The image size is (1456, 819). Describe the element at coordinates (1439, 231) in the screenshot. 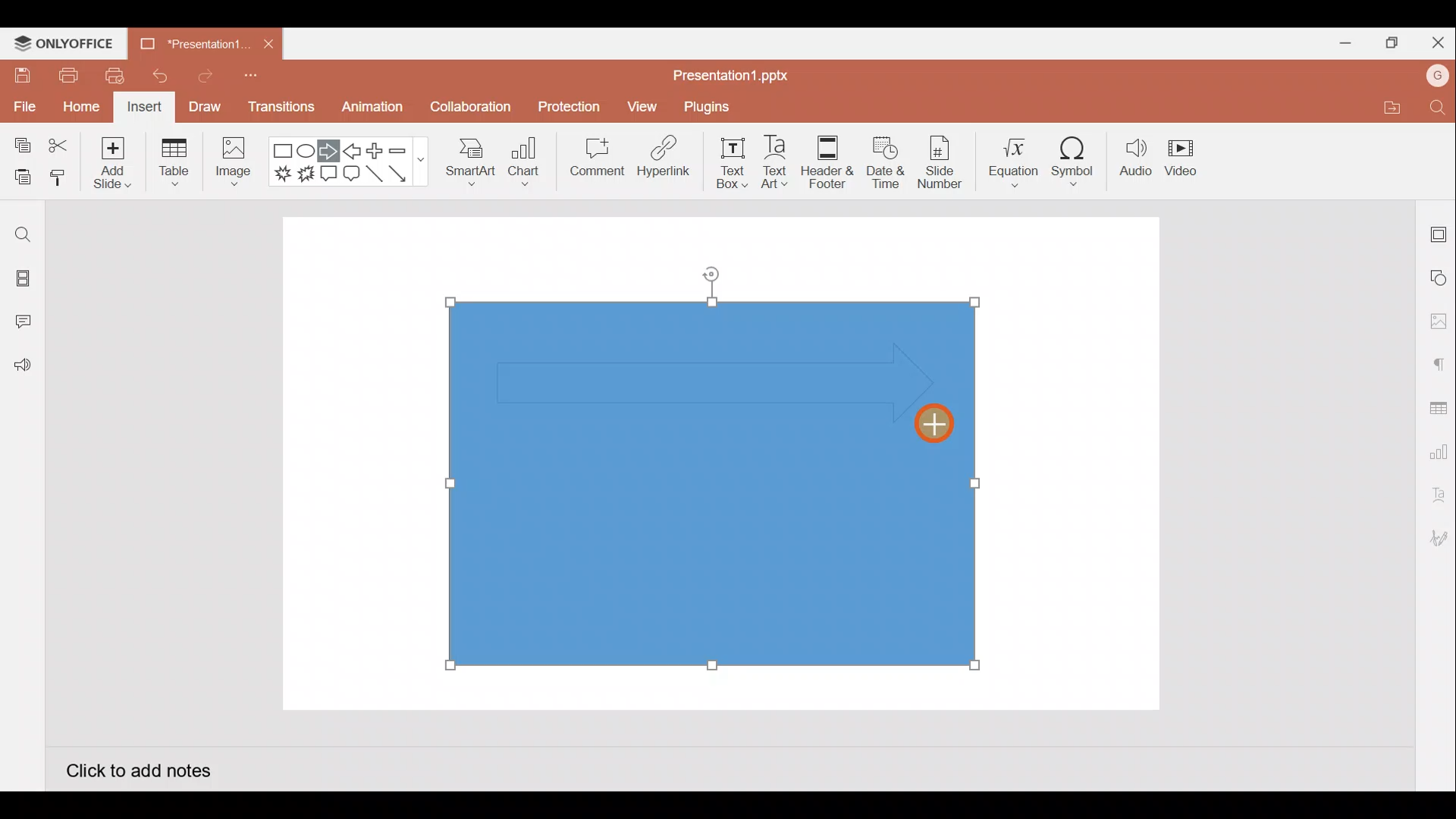

I see `Slide settings` at that location.